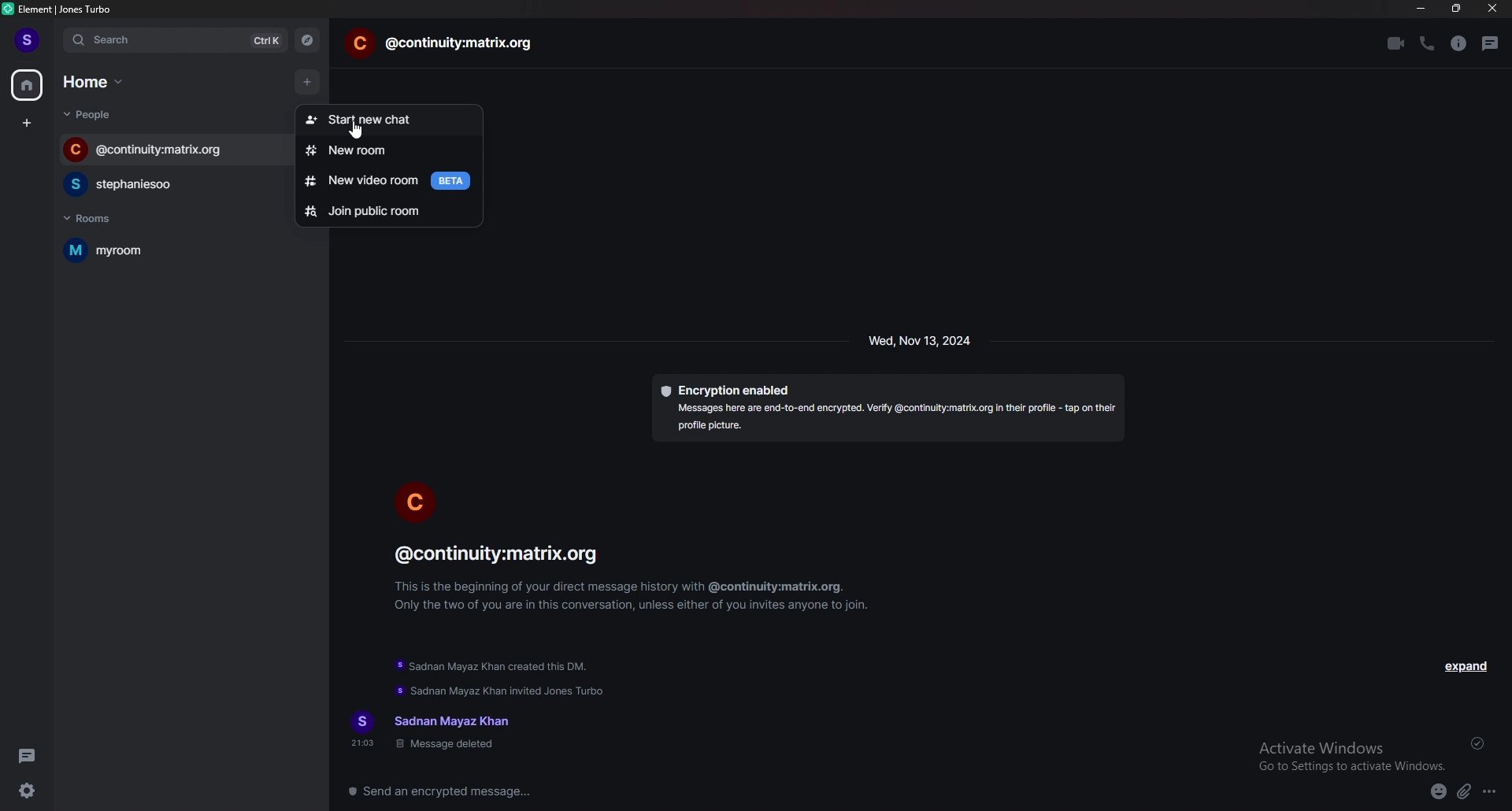 The width and height of the screenshot is (1512, 811). Describe the element at coordinates (28, 84) in the screenshot. I see `home` at that location.